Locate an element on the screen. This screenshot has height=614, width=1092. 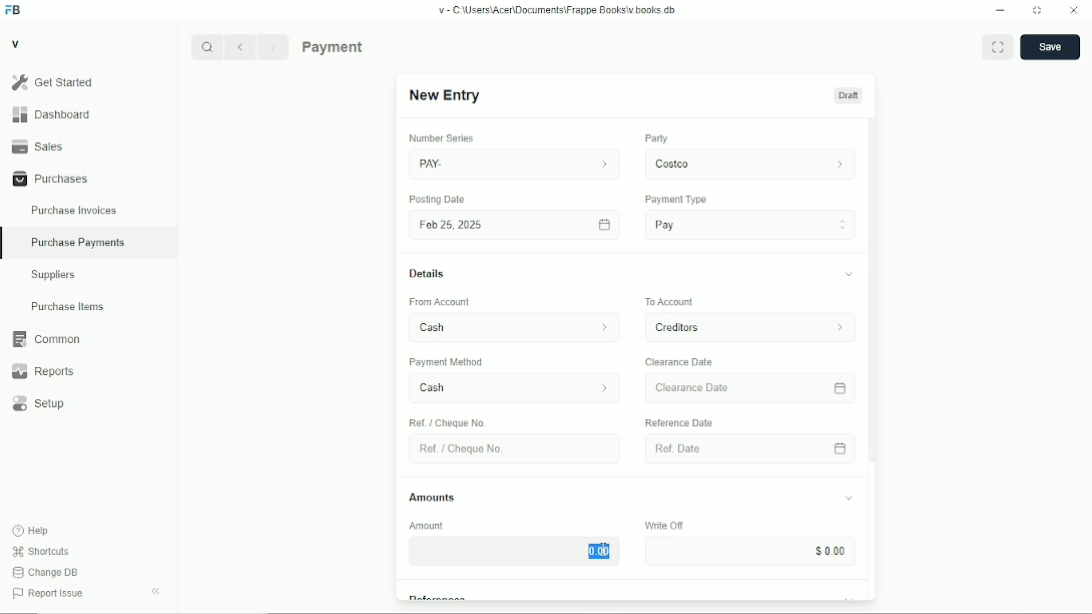
Report Issue is located at coordinates (49, 593).